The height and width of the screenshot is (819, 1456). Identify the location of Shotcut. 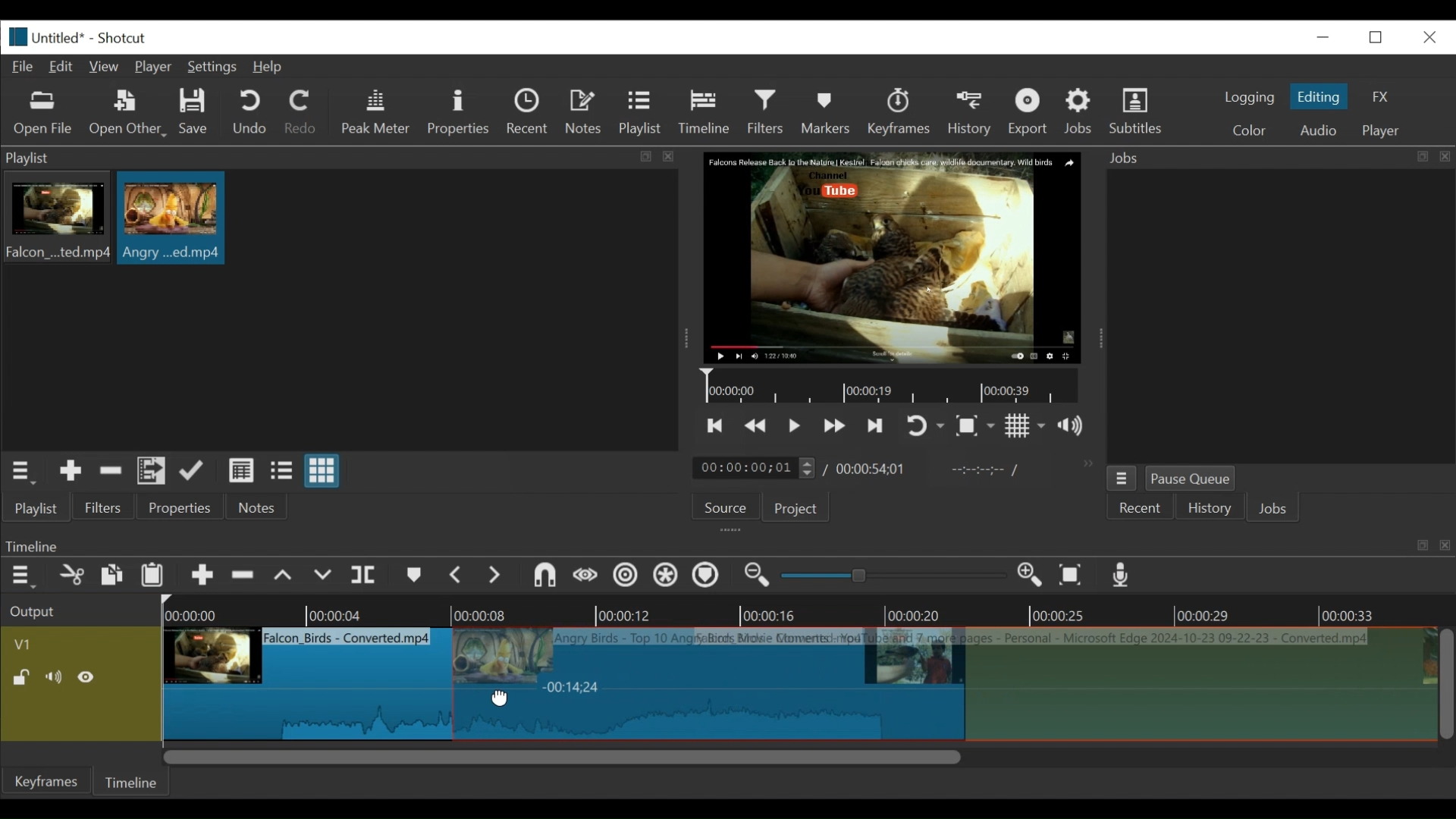
(121, 39).